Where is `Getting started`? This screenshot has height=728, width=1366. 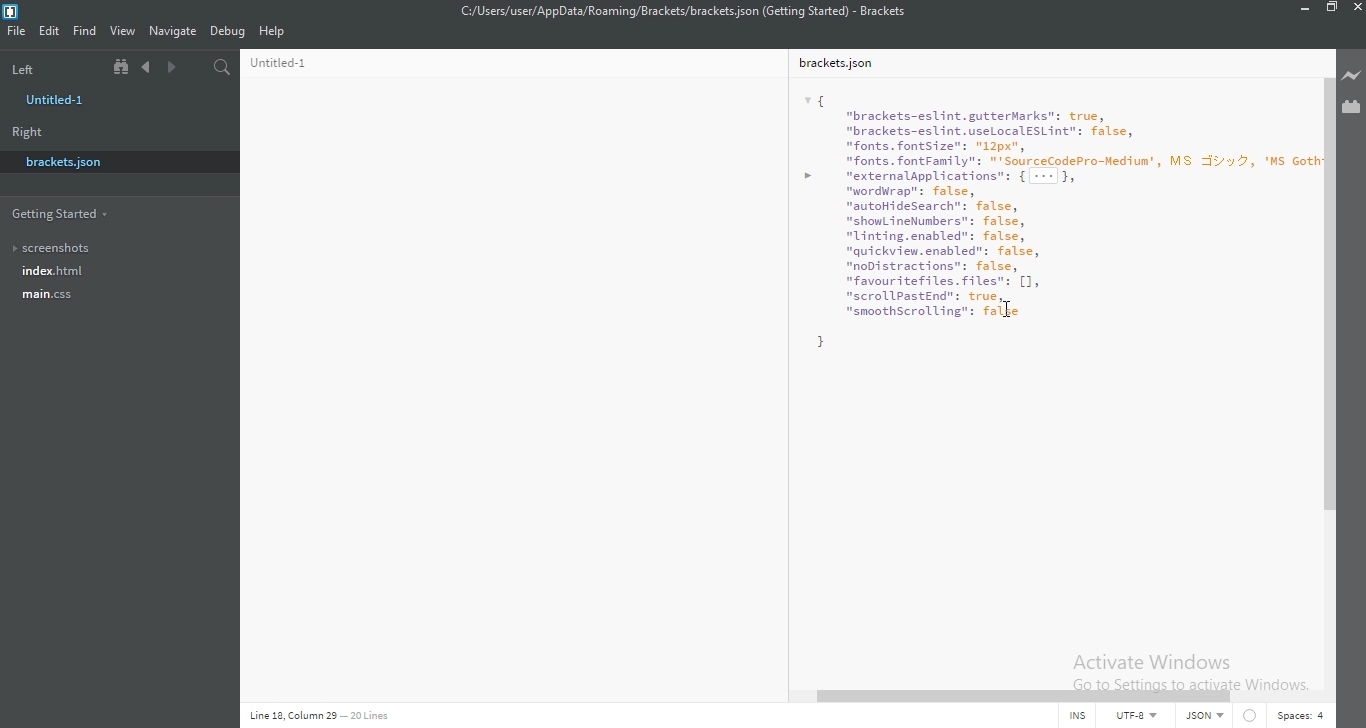 Getting started is located at coordinates (84, 213).